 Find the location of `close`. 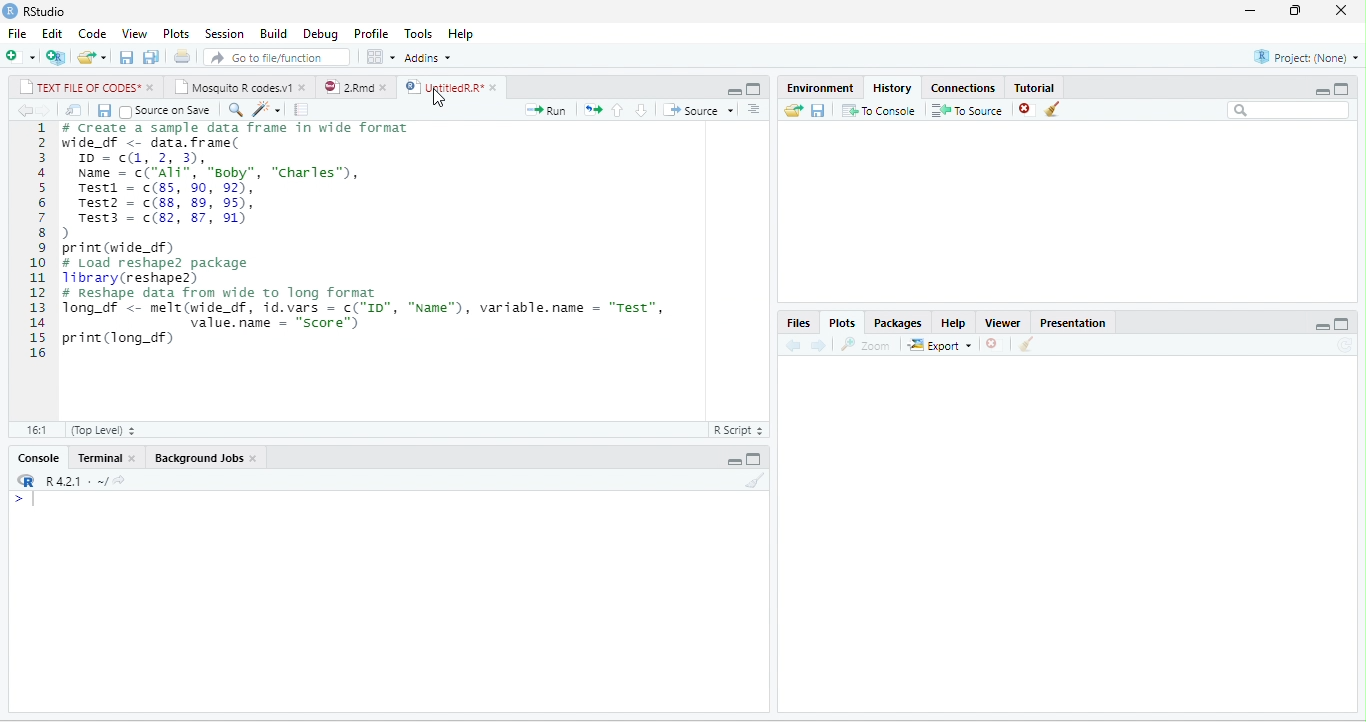

close is located at coordinates (496, 88).